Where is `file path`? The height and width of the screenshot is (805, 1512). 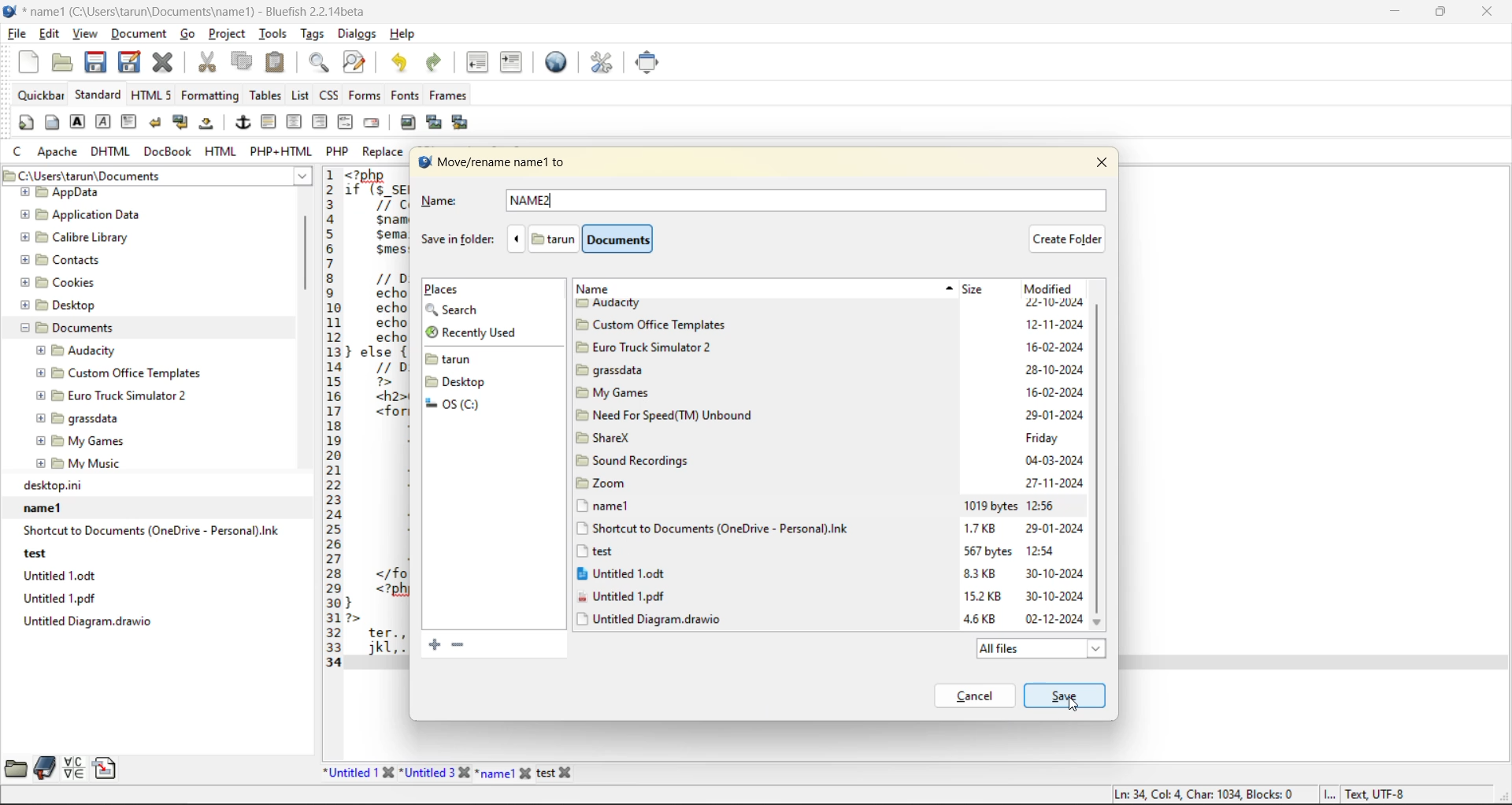 file path is located at coordinates (592, 239).